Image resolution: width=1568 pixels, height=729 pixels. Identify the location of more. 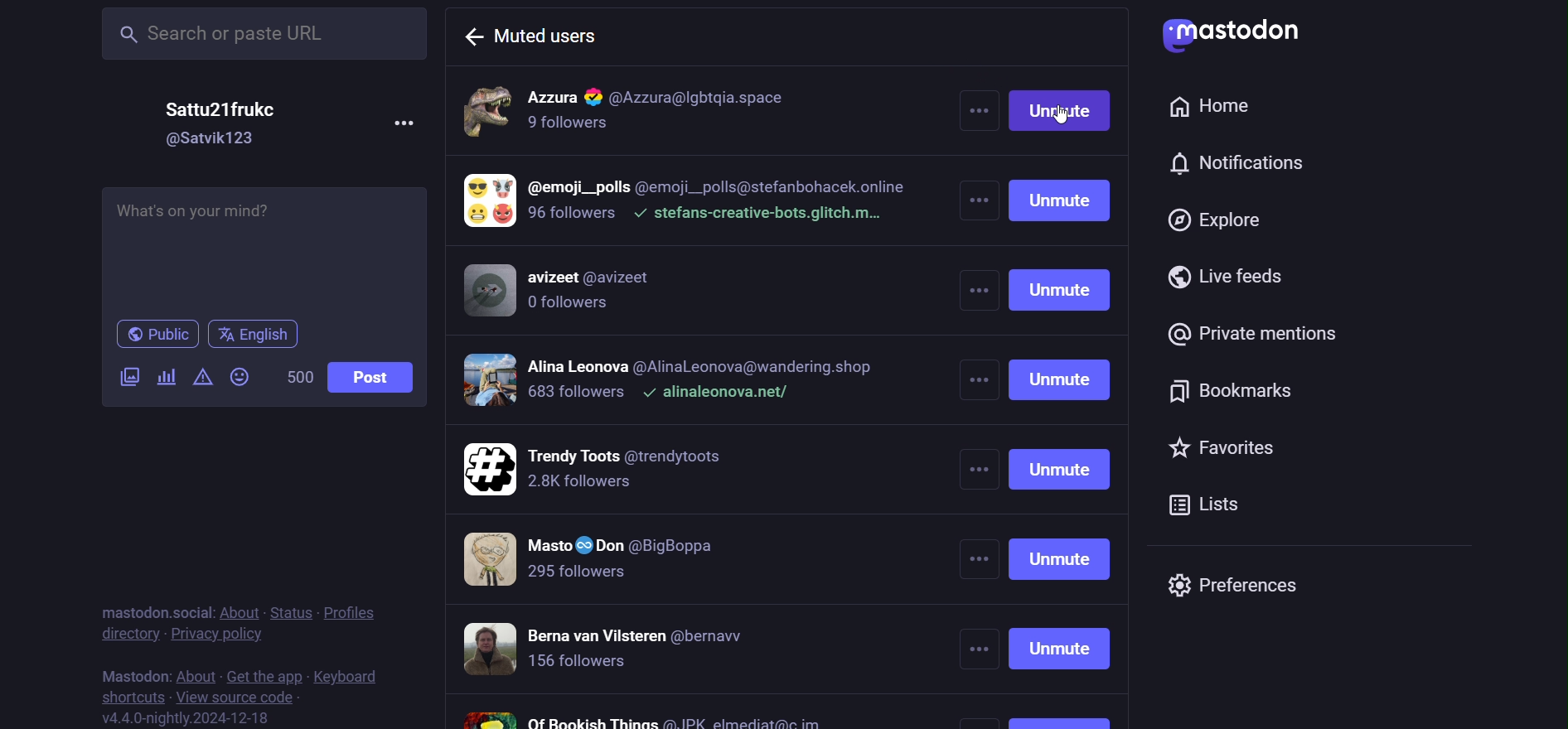
(404, 123).